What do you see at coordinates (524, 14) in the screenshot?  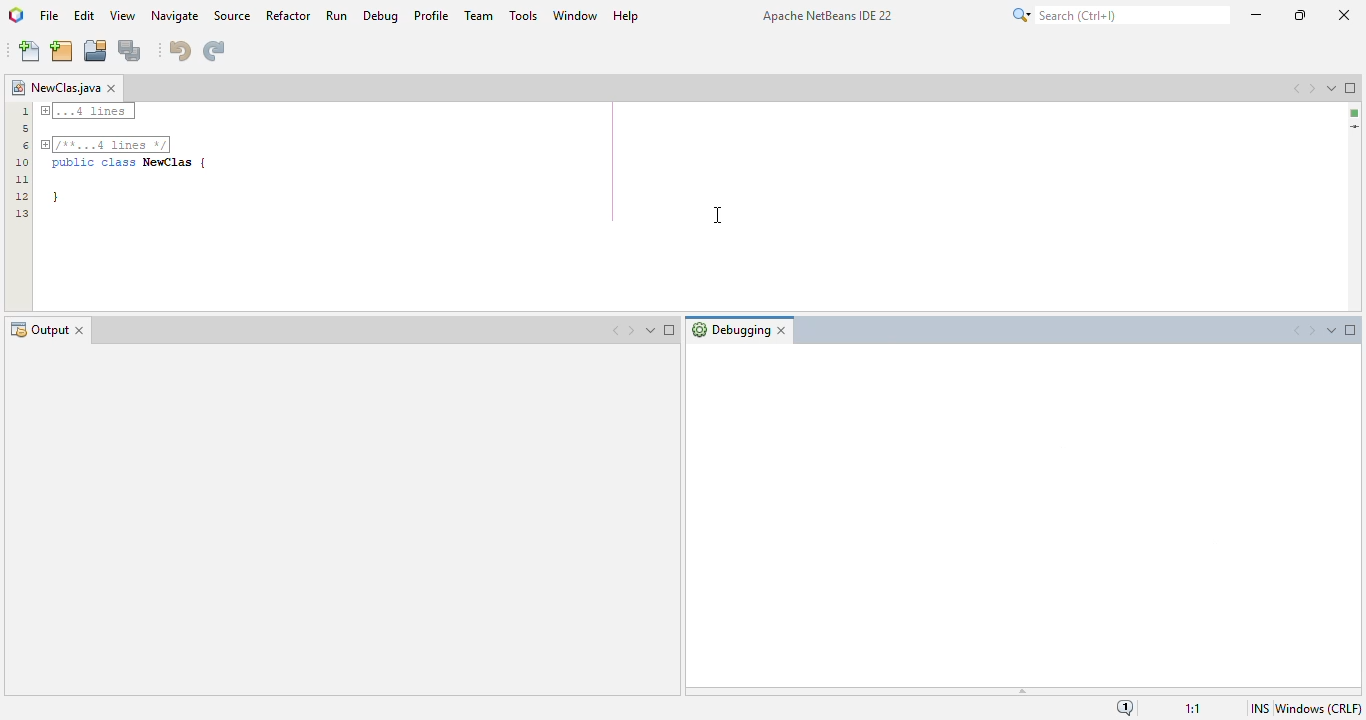 I see `tools` at bounding box center [524, 14].